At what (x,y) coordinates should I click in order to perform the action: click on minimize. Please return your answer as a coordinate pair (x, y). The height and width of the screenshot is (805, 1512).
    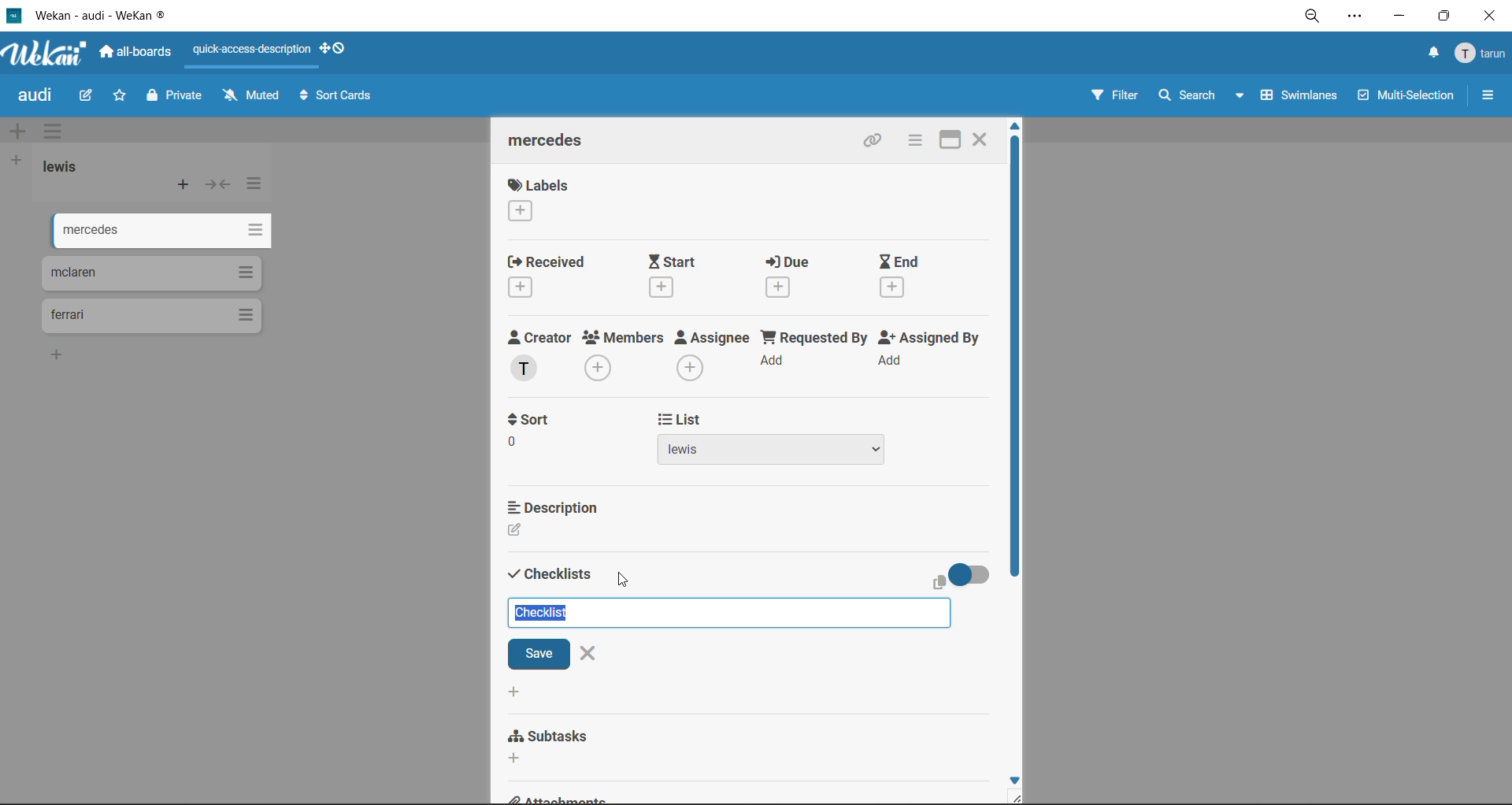
    Looking at the image, I should click on (1399, 19).